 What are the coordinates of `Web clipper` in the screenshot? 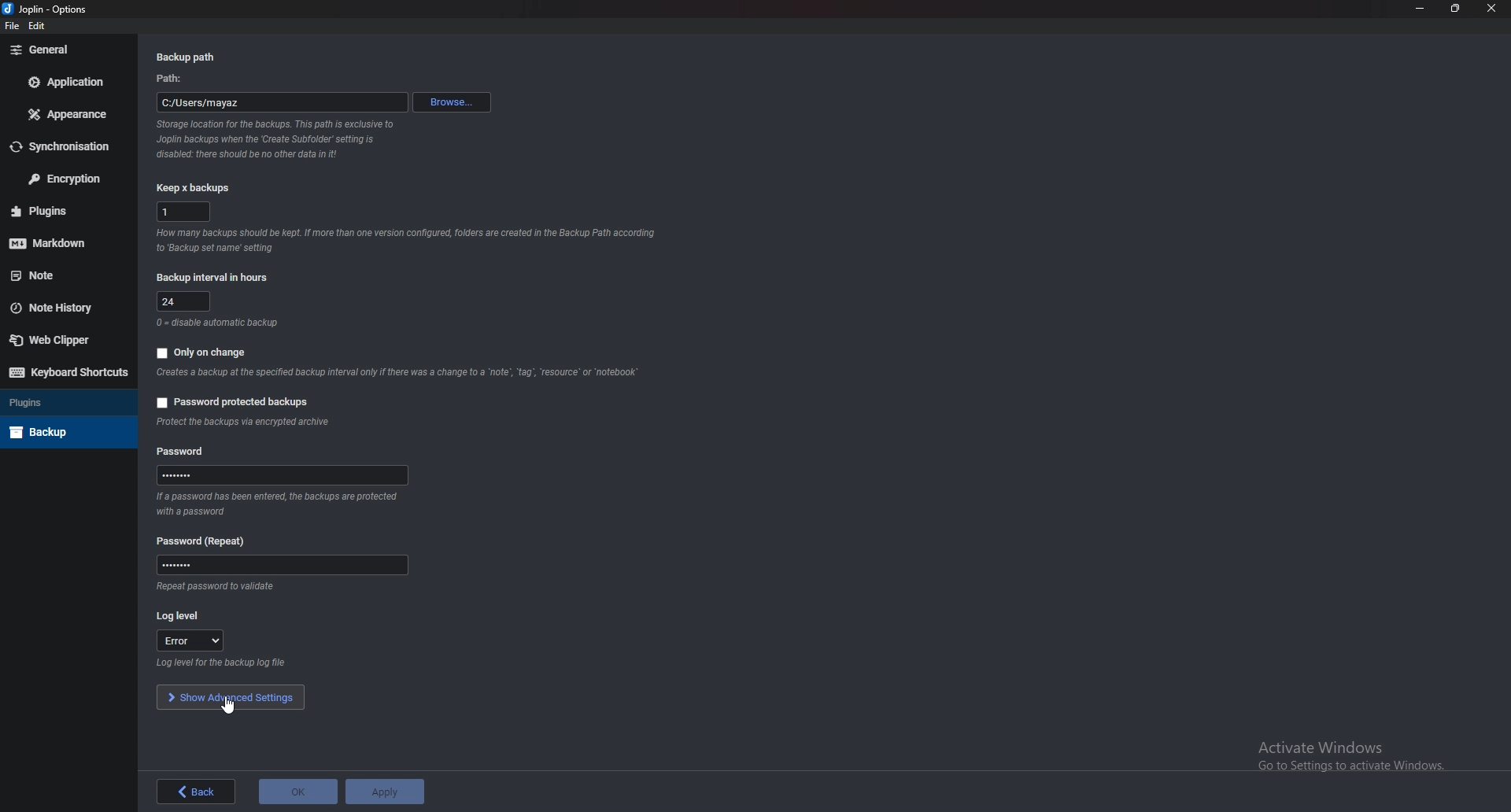 It's located at (59, 339).